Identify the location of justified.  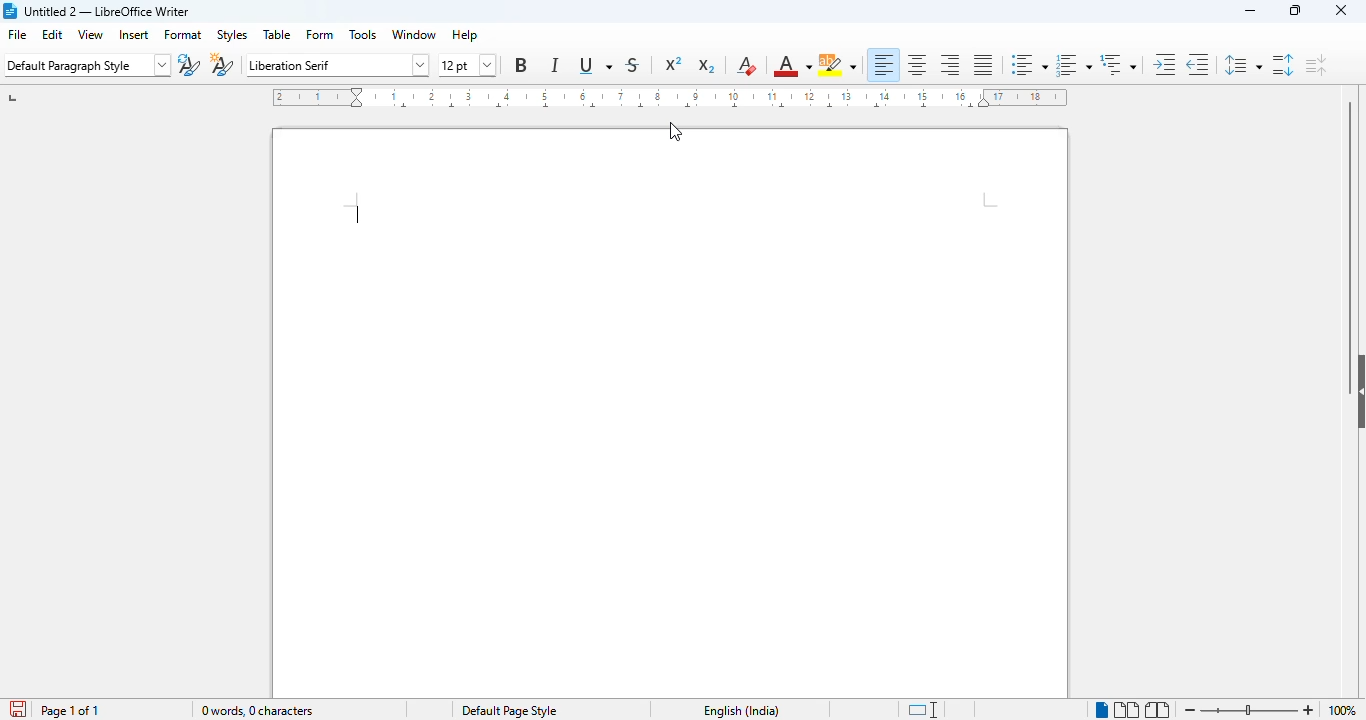
(985, 65).